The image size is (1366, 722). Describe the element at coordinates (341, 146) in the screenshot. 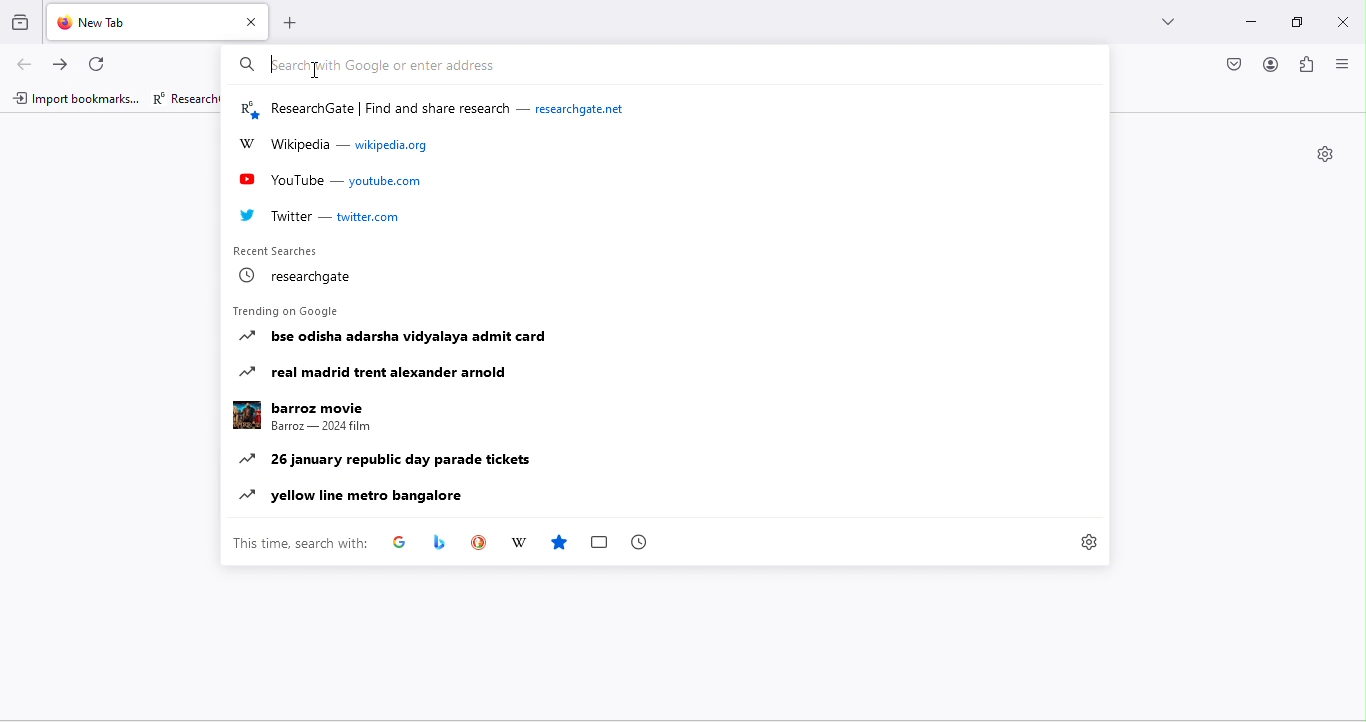

I see `wikipedia` at that location.